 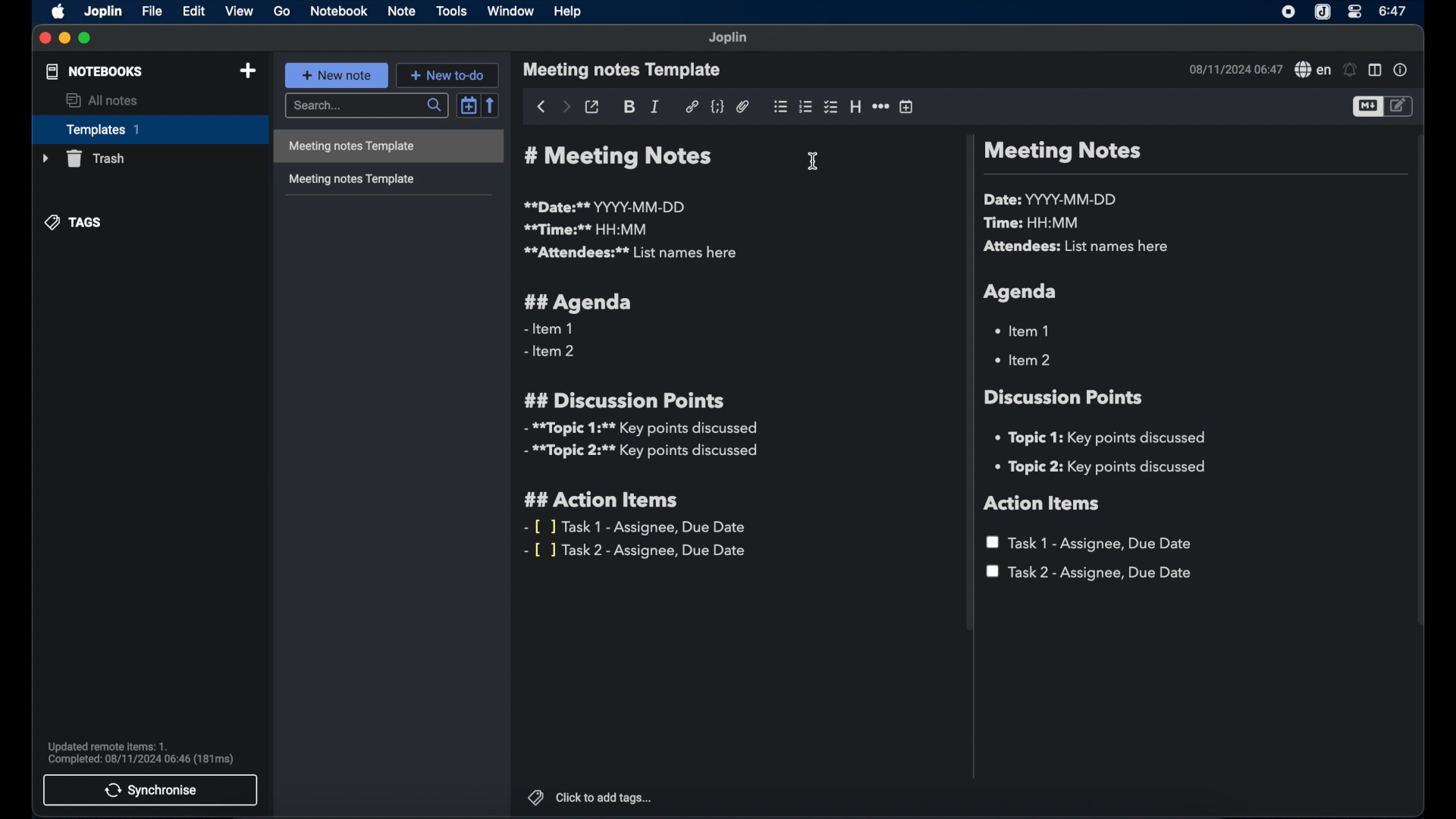 I want to click on topic 1: key points discussed, so click(x=1106, y=438).